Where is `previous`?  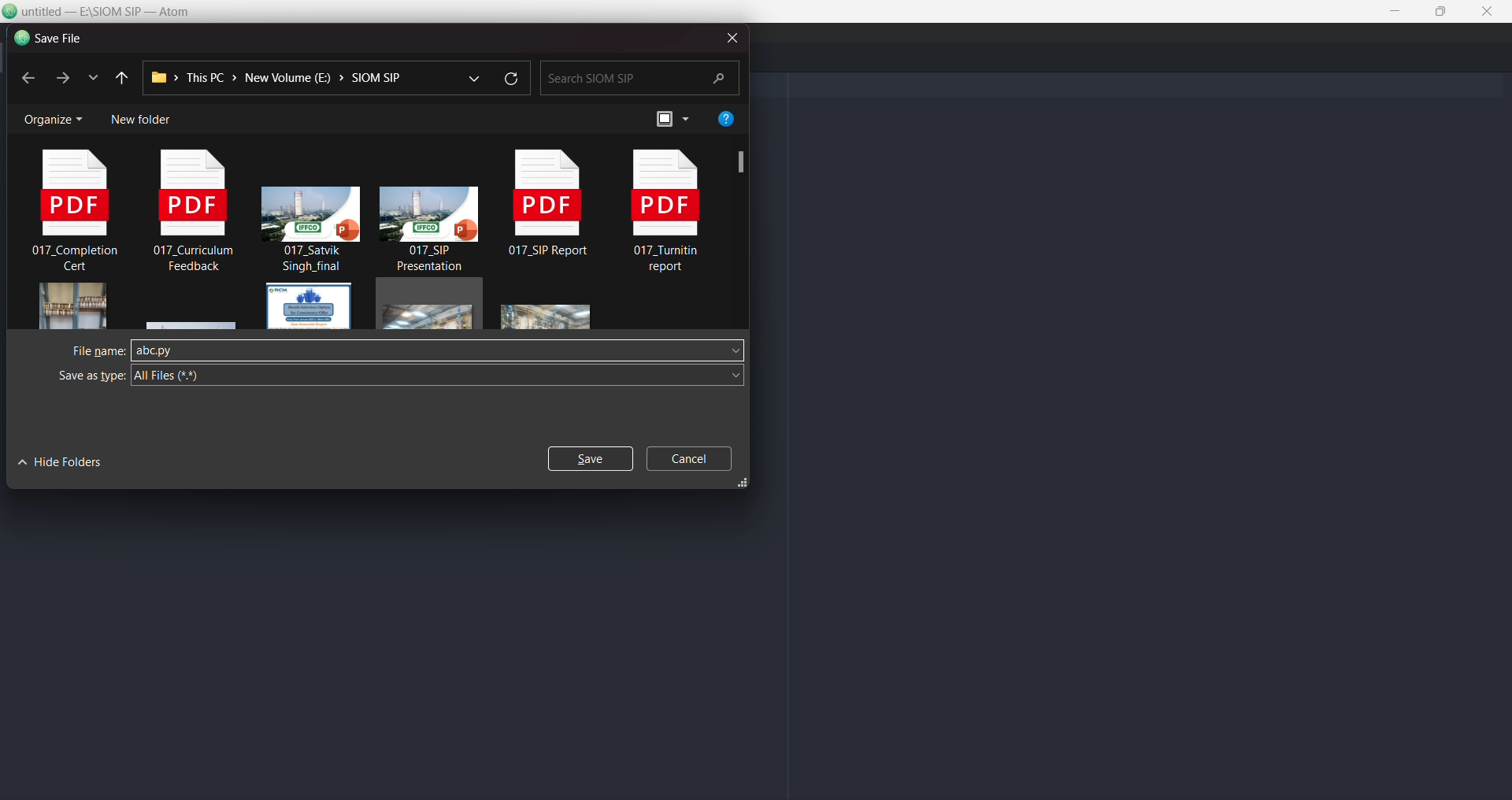
previous is located at coordinates (124, 78).